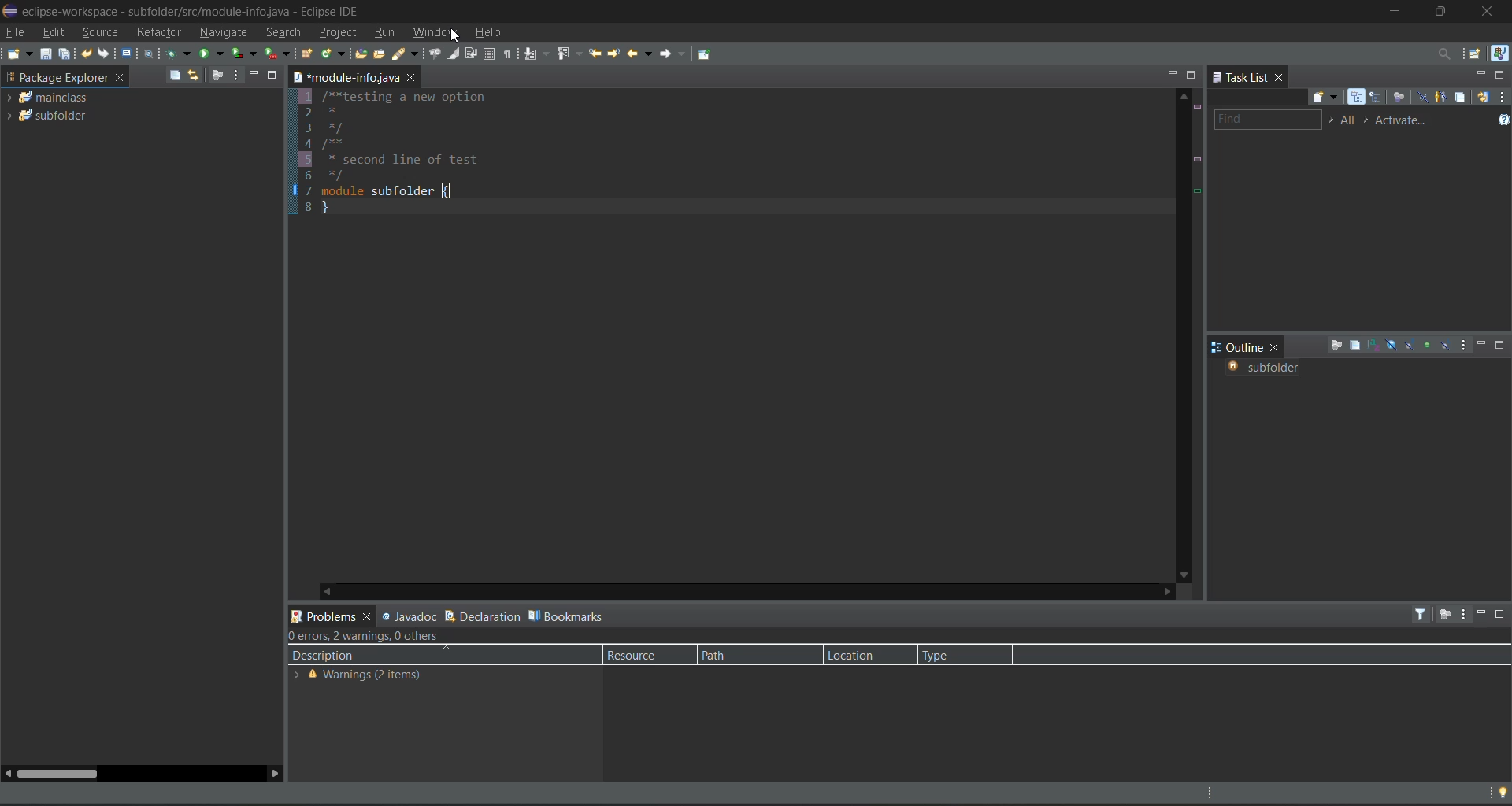 The image size is (1512, 806). Describe the element at coordinates (64, 53) in the screenshot. I see `save all` at that location.